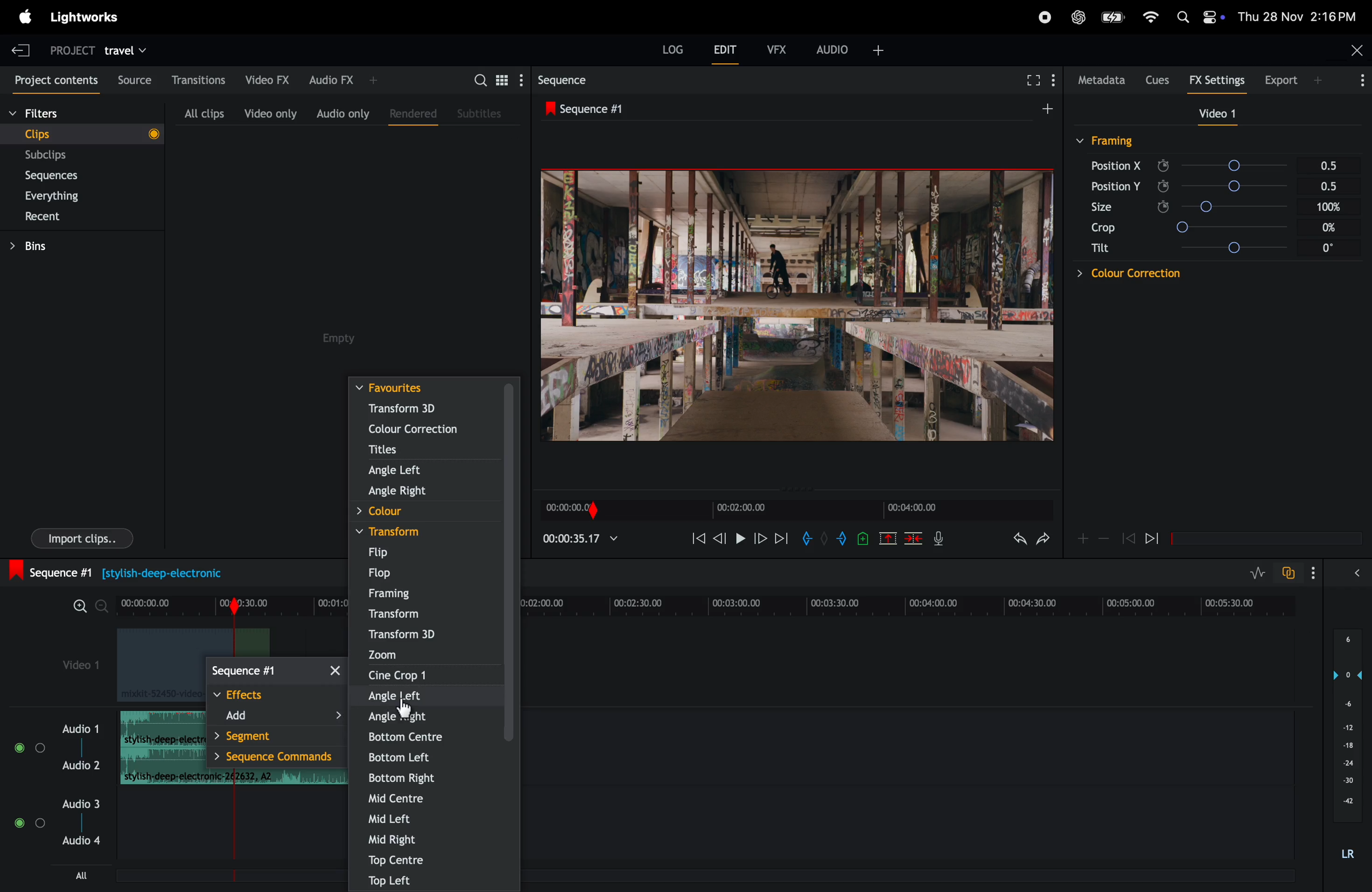  What do you see at coordinates (62, 156) in the screenshot?
I see `sub clips` at bounding box center [62, 156].